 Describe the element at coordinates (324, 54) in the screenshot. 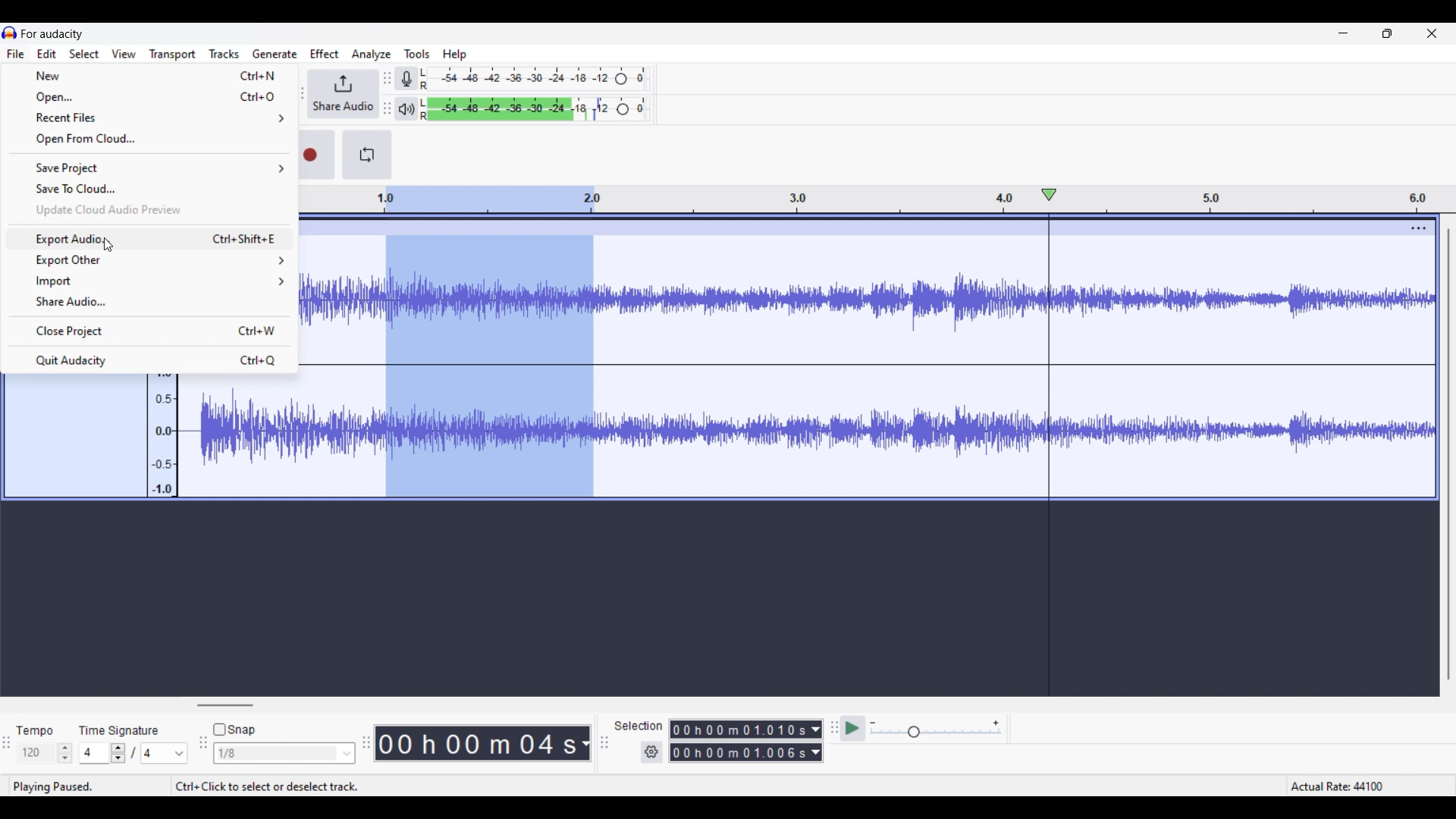

I see `Effect menu` at that location.